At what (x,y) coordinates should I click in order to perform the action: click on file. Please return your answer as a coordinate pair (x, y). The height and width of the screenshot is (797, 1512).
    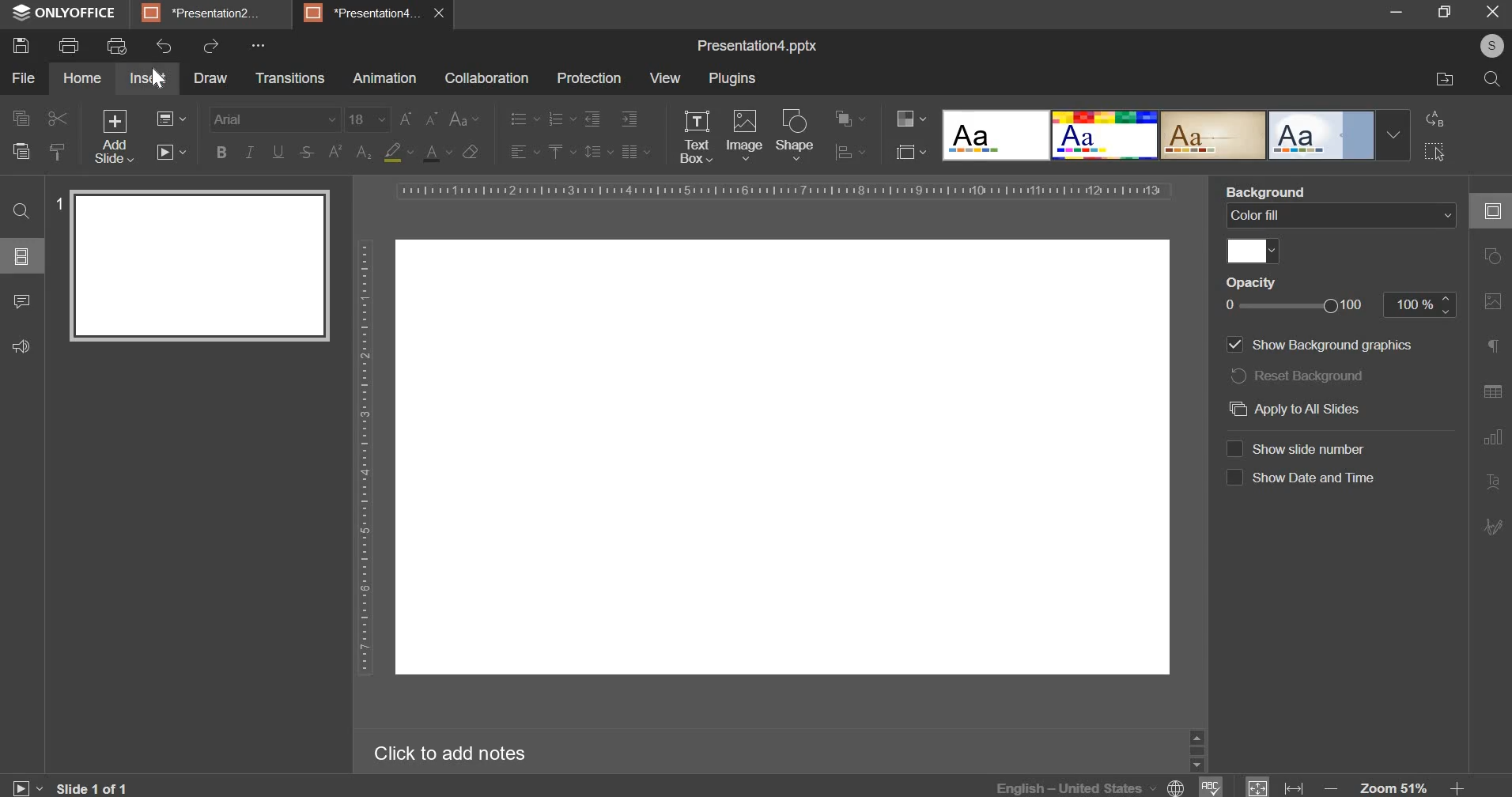
    Looking at the image, I should click on (23, 77).